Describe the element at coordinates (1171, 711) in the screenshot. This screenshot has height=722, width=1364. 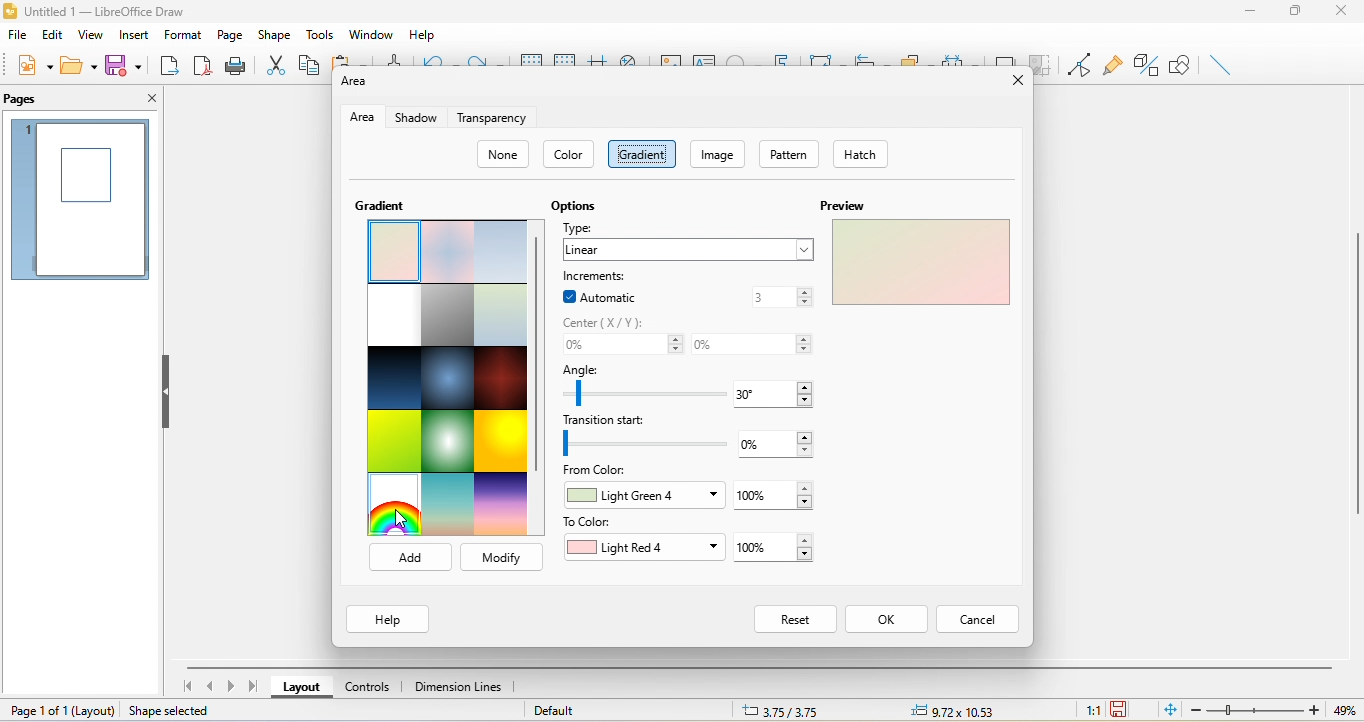
I see `fit to the current window` at that location.